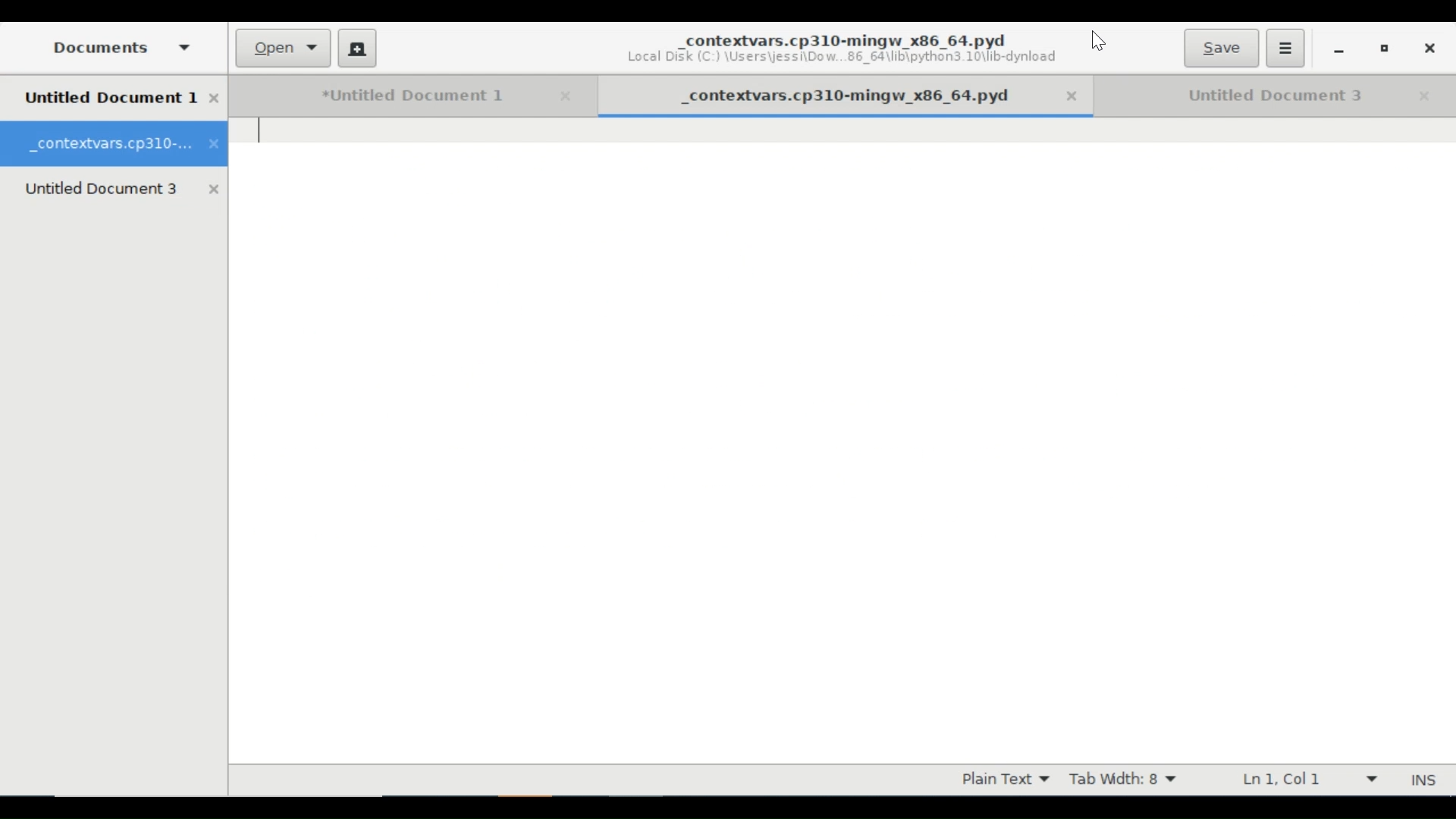 This screenshot has height=819, width=1456. Describe the element at coordinates (843, 439) in the screenshot. I see `Text Entry Pane` at that location.